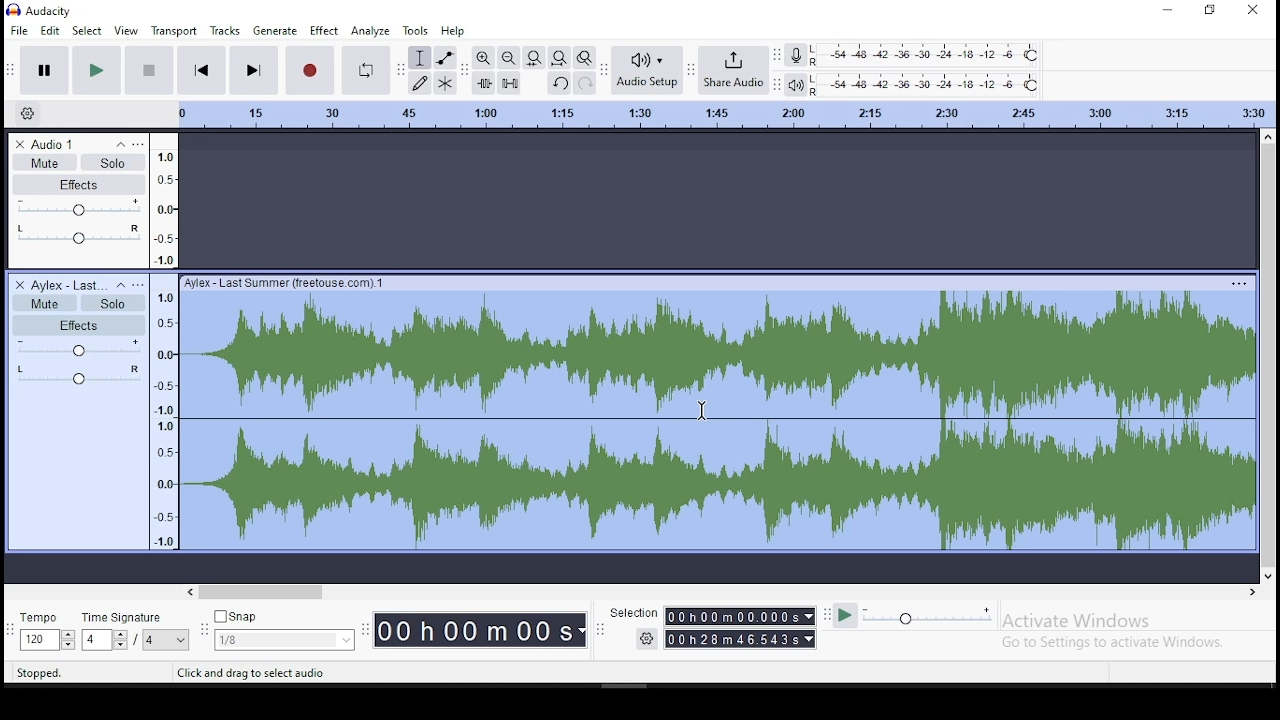 The width and height of the screenshot is (1280, 720). What do you see at coordinates (80, 210) in the screenshot?
I see `volume` at bounding box center [80, 210].